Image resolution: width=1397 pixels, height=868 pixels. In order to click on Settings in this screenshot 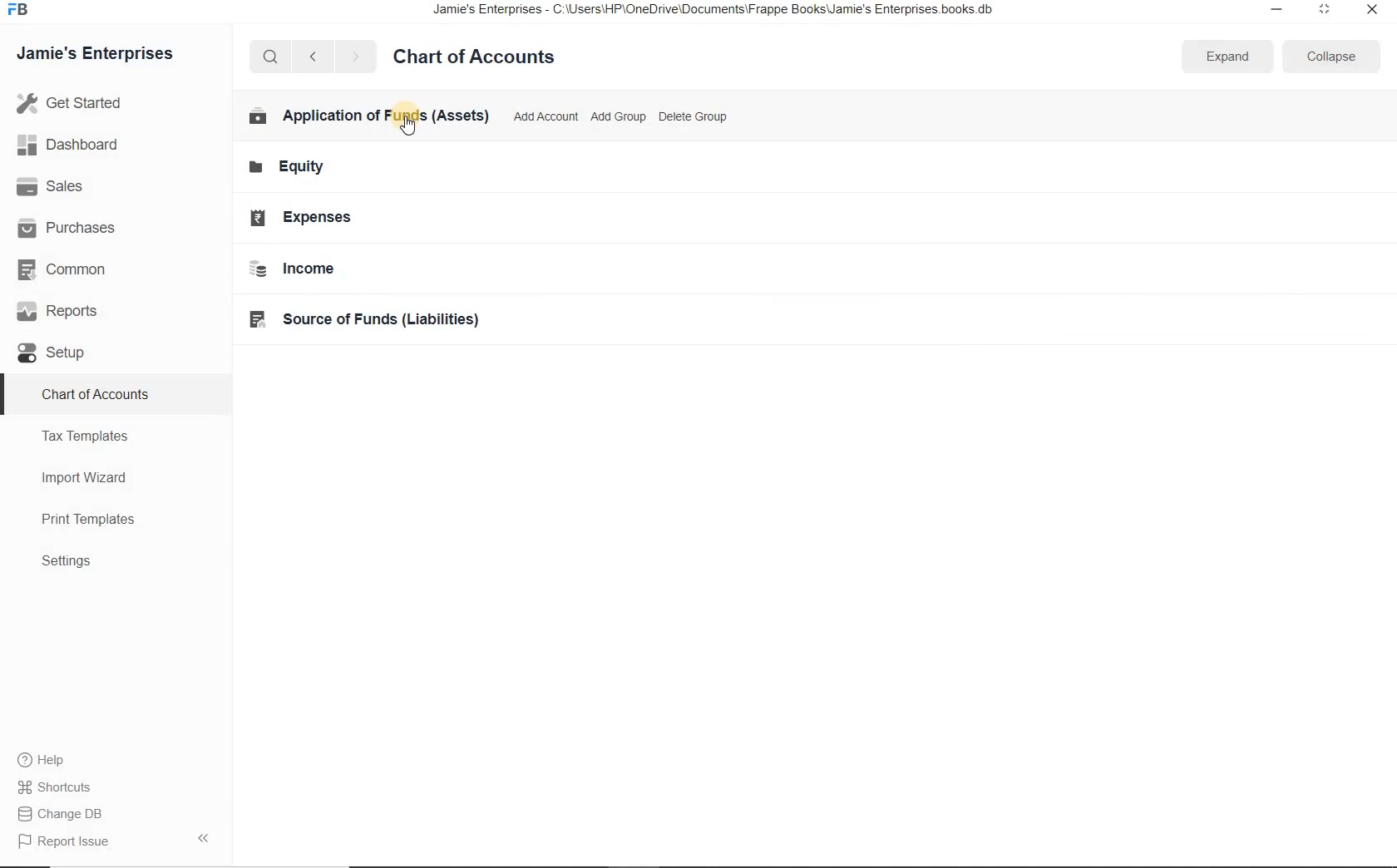, I will do `click(74, 562)`.